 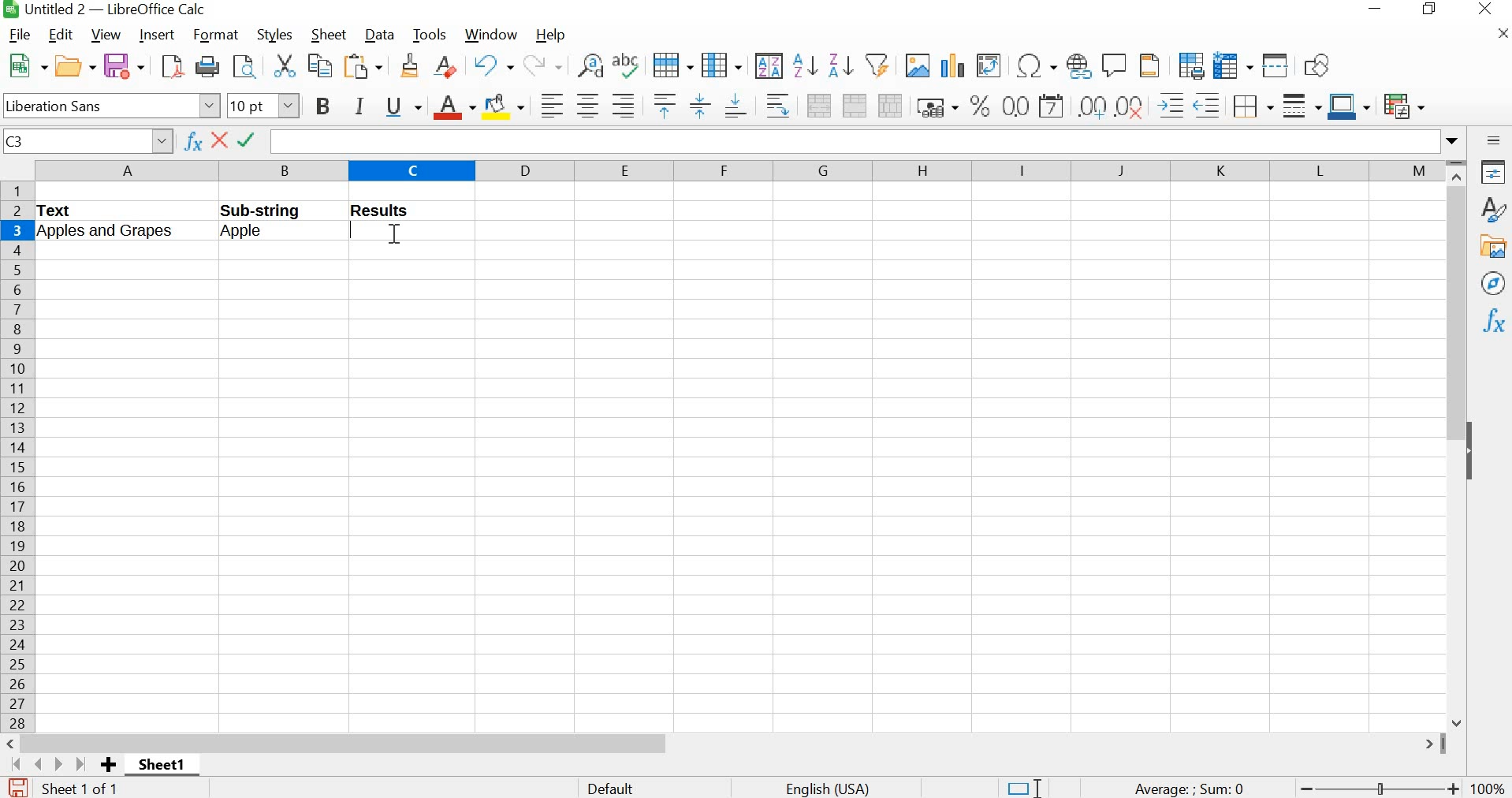 I want to click on minimize, so click(x=1377, y=9).